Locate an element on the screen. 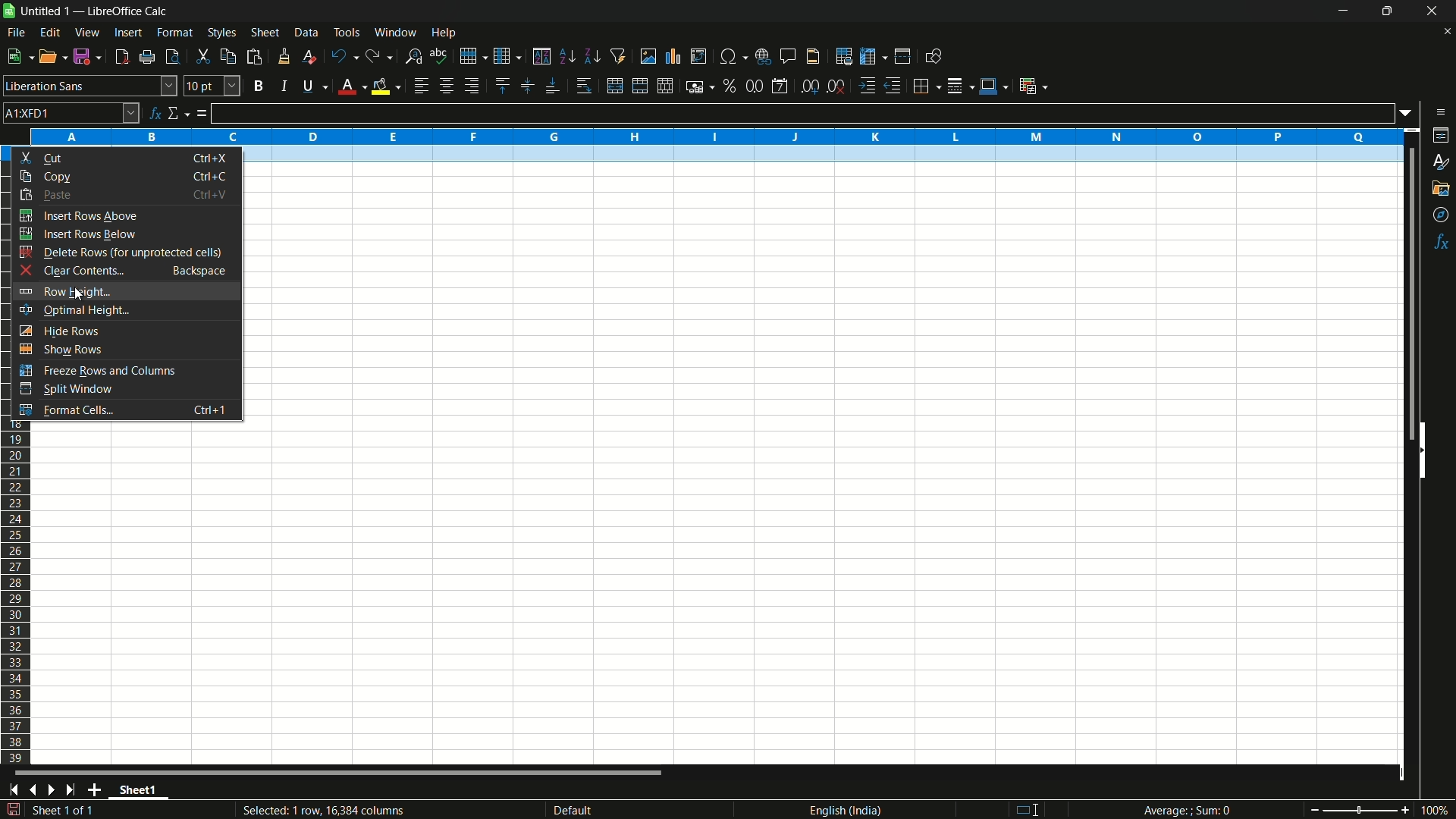 This screenshot has width=1456, height=819. save is located at coordinates (13, 810).